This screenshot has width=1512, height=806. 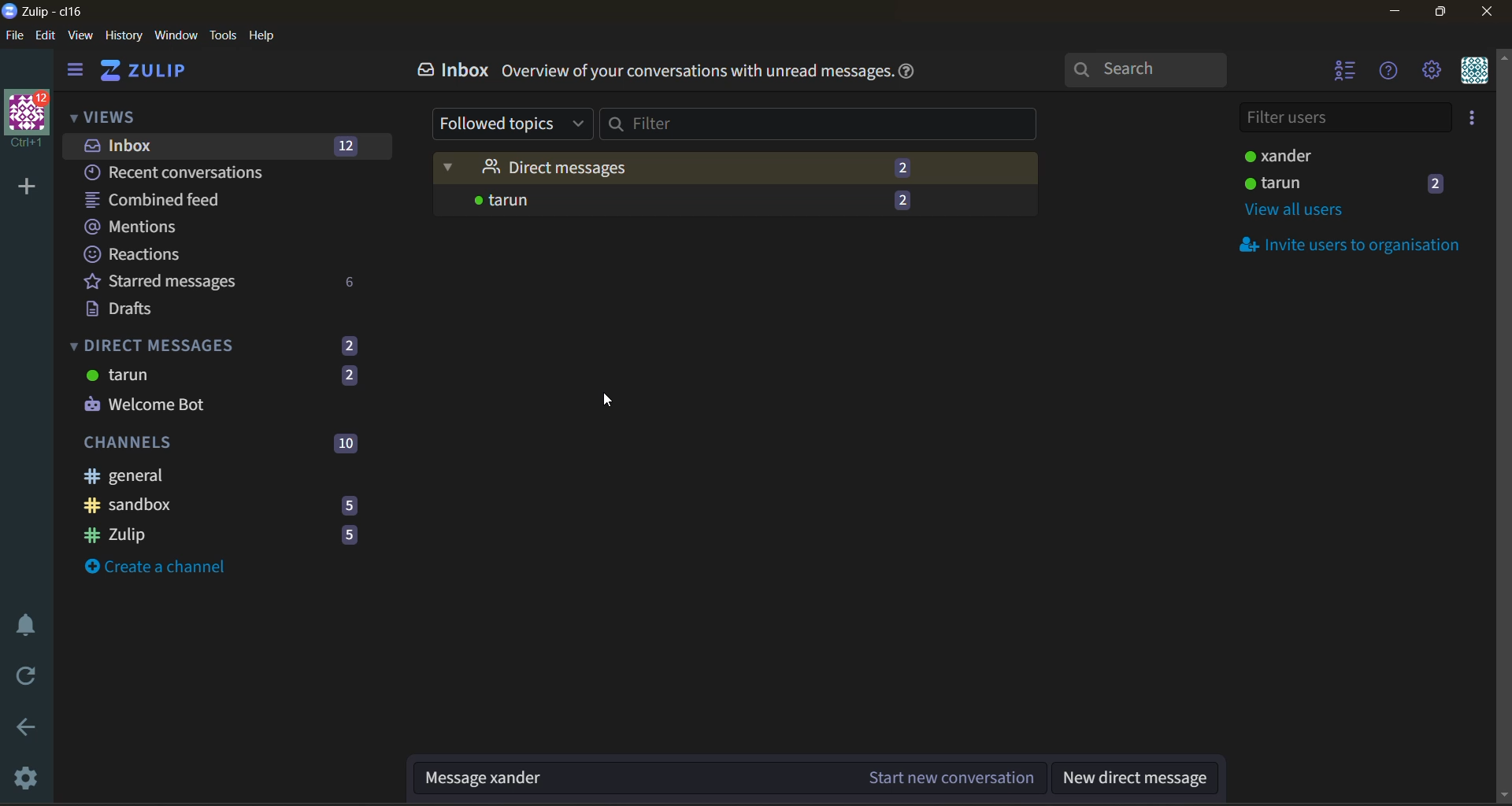 What do you see at coordinates (1358, 248) in the screenshot?
I see `invite users to organisation` at bounding box center [1358, 248].